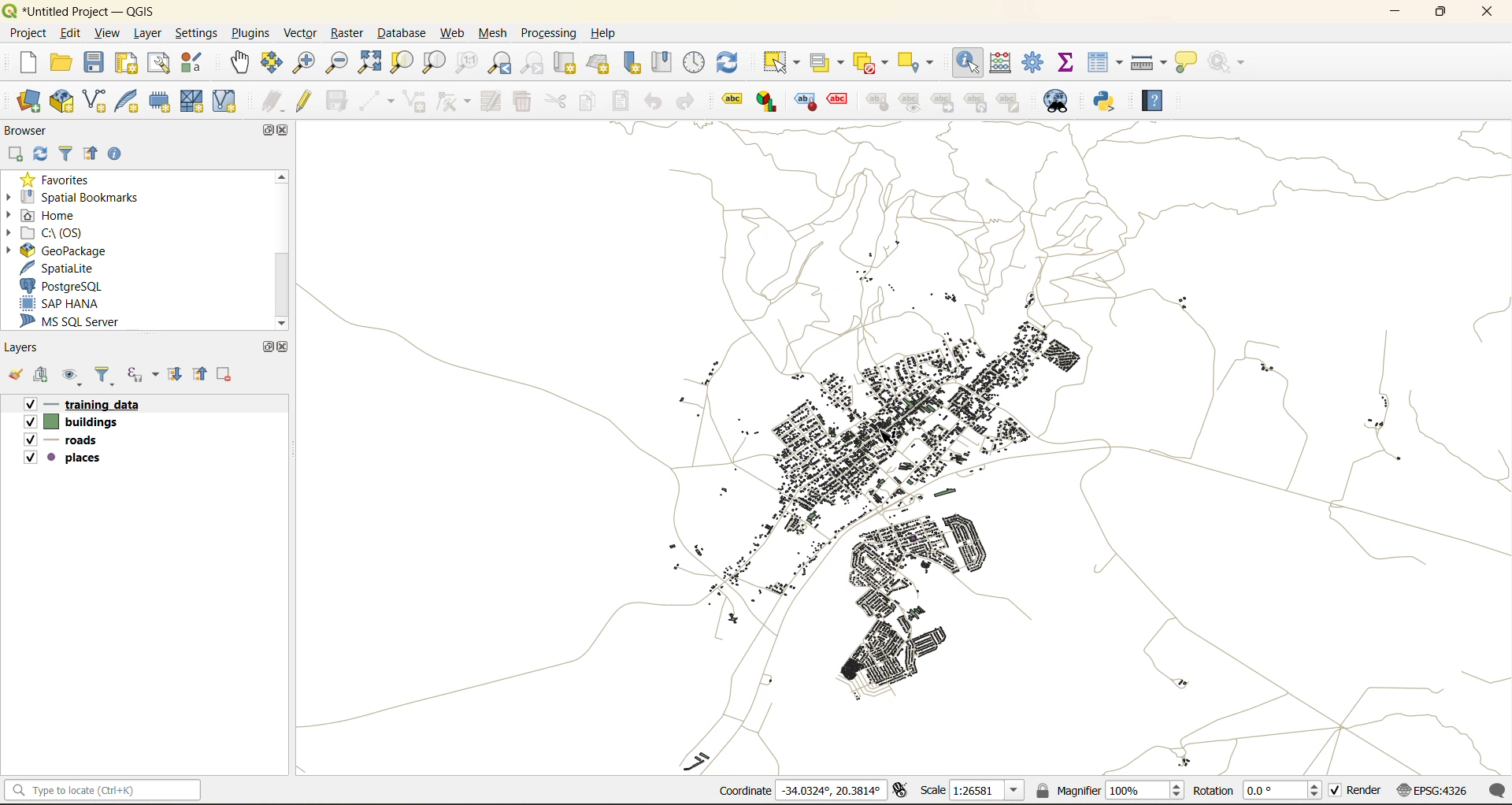 The width and height of the screenshot is (1512, 805). Describe the element at coordinates (240, 65) in the screenshot. I see `pan map` at that location.